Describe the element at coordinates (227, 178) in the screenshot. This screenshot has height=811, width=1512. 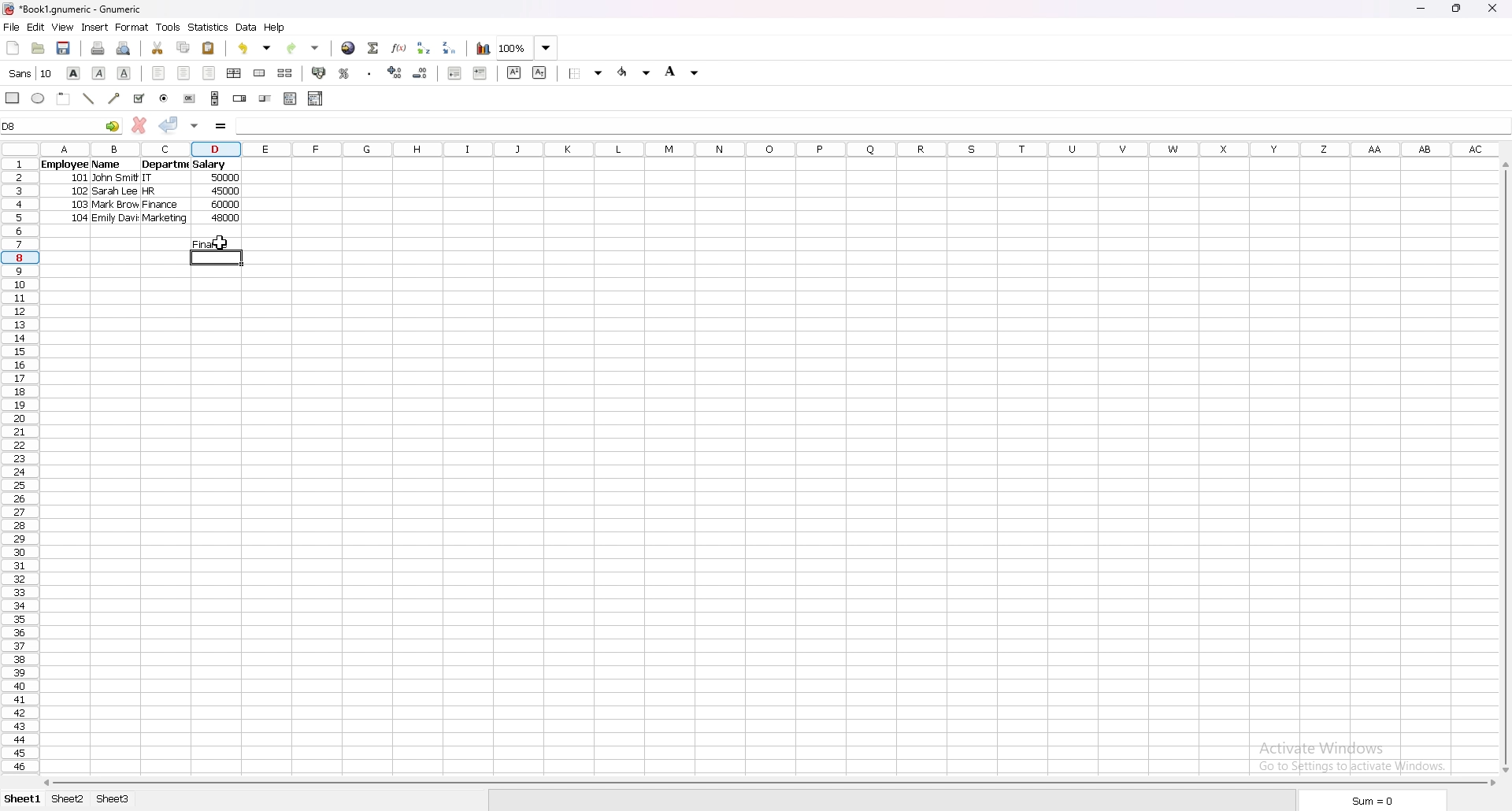
I see `5000` at that location.